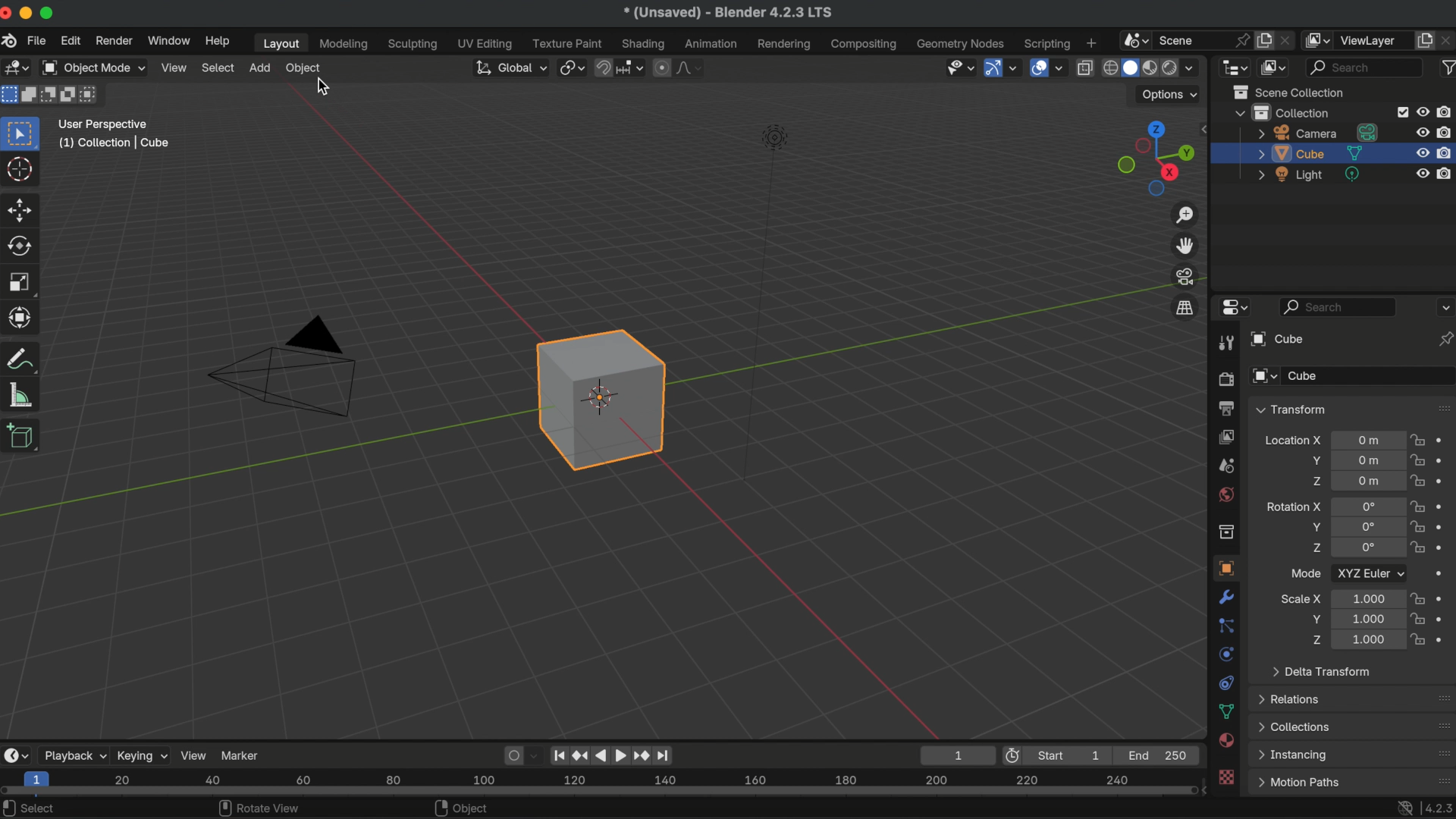 The image size is (1456, 819). I want to click on animate property, so click(1446, 548).